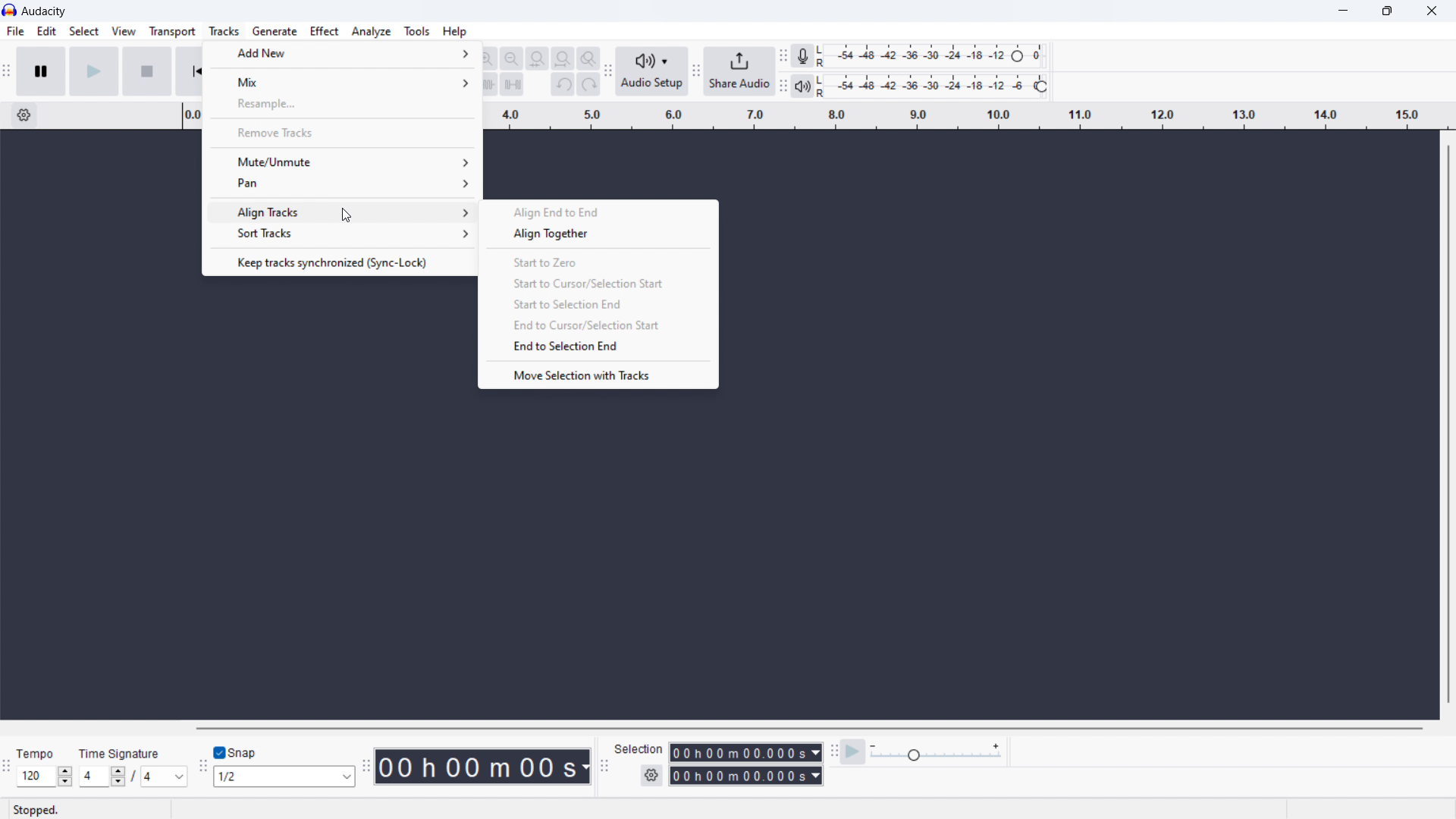 The height and width of the screenshot is (819, 1456). Describe the element at coordinates (284, 777) in the screenshot. I see `select snapping` at that location.